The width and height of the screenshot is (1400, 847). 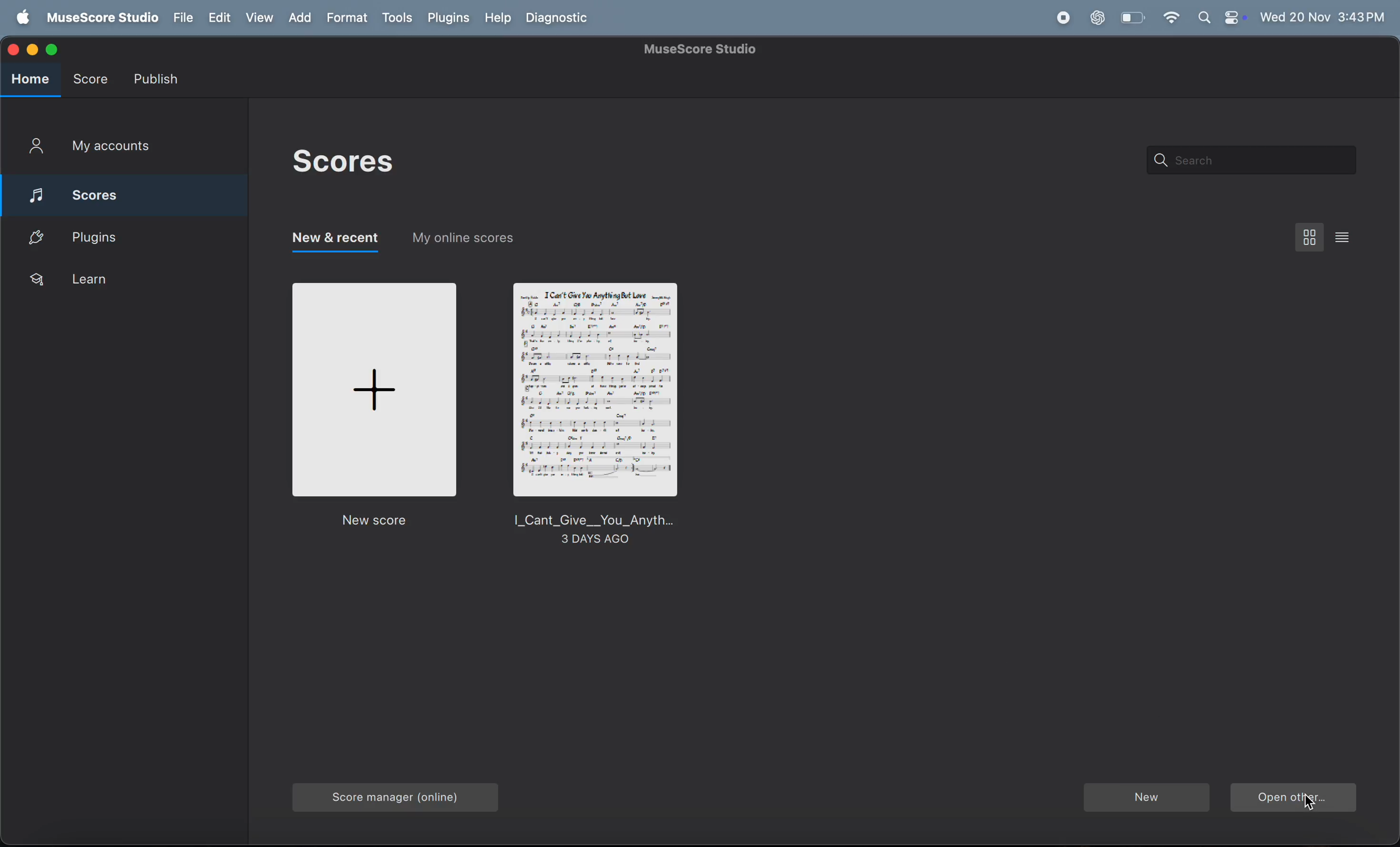 What do you see at coordinates (94, 81) in the screenshot?
I see `score` at bounding box center [94, 81].